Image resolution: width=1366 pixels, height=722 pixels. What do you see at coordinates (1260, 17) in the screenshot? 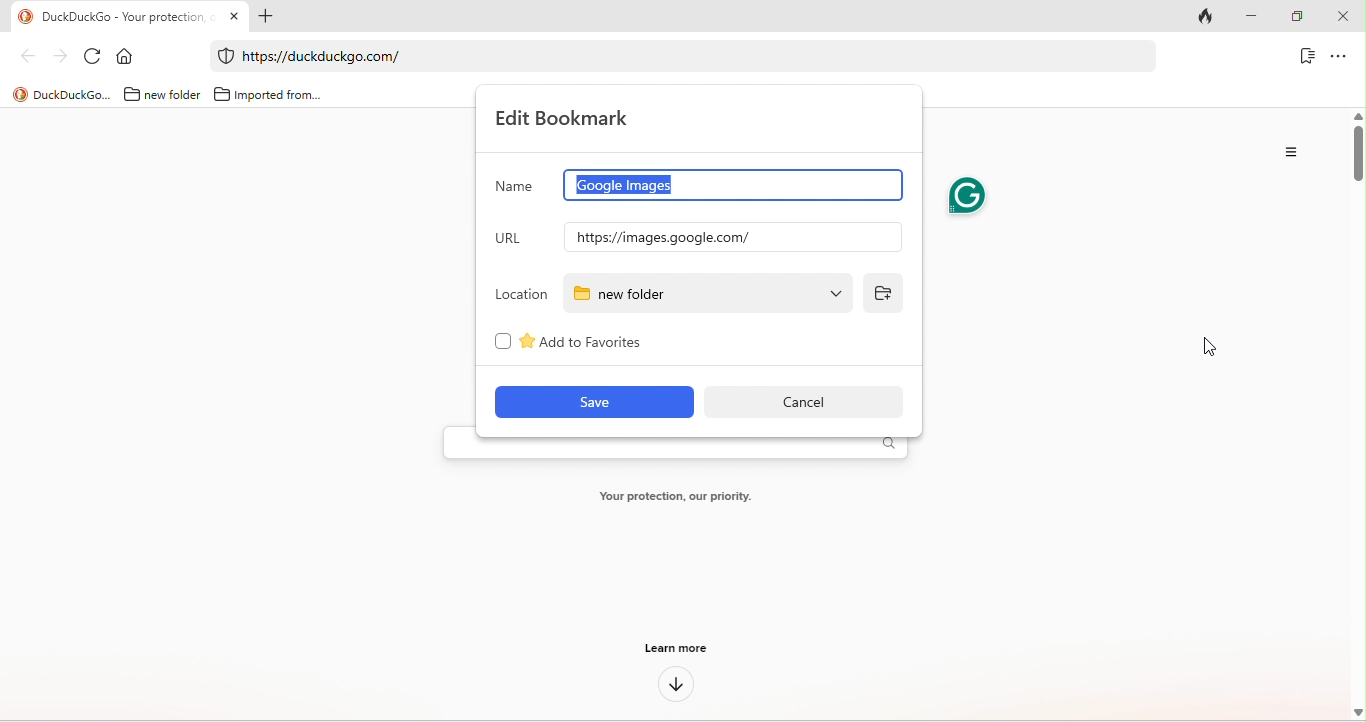
I see `minimize` at bounding box center [1260, 17].